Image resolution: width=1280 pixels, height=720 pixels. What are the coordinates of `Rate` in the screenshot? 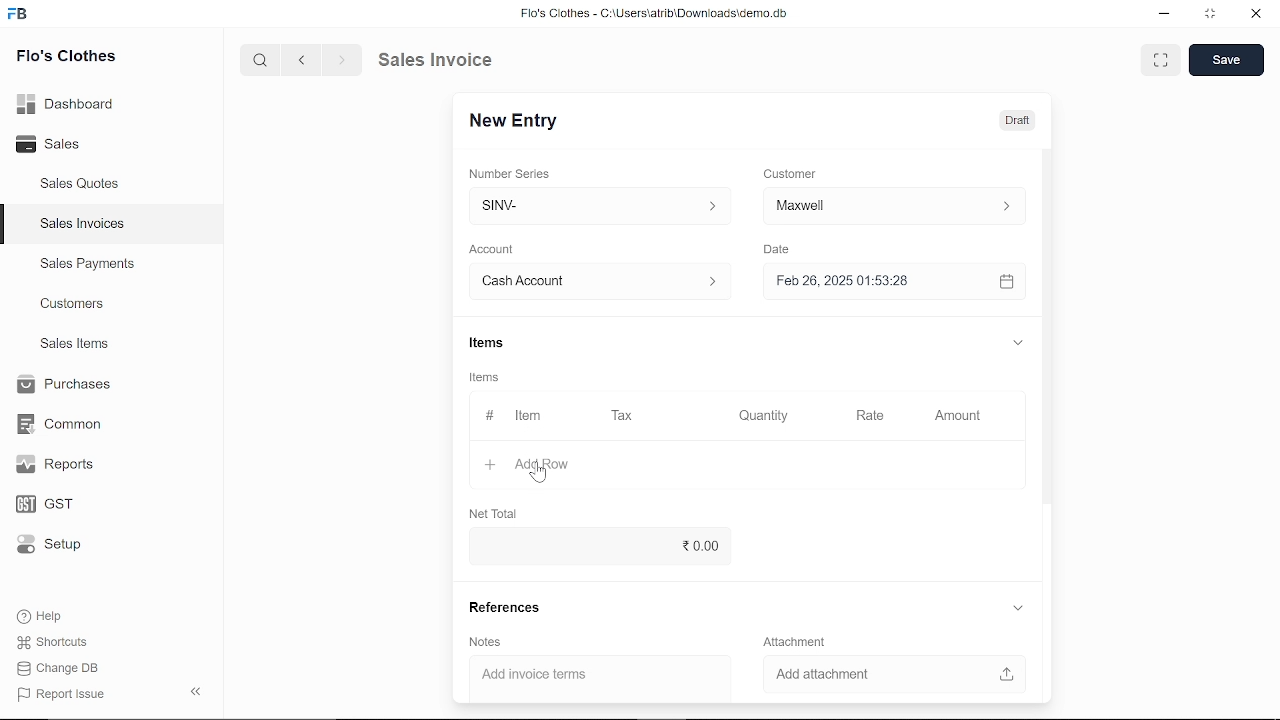 It's located at (863, 416).